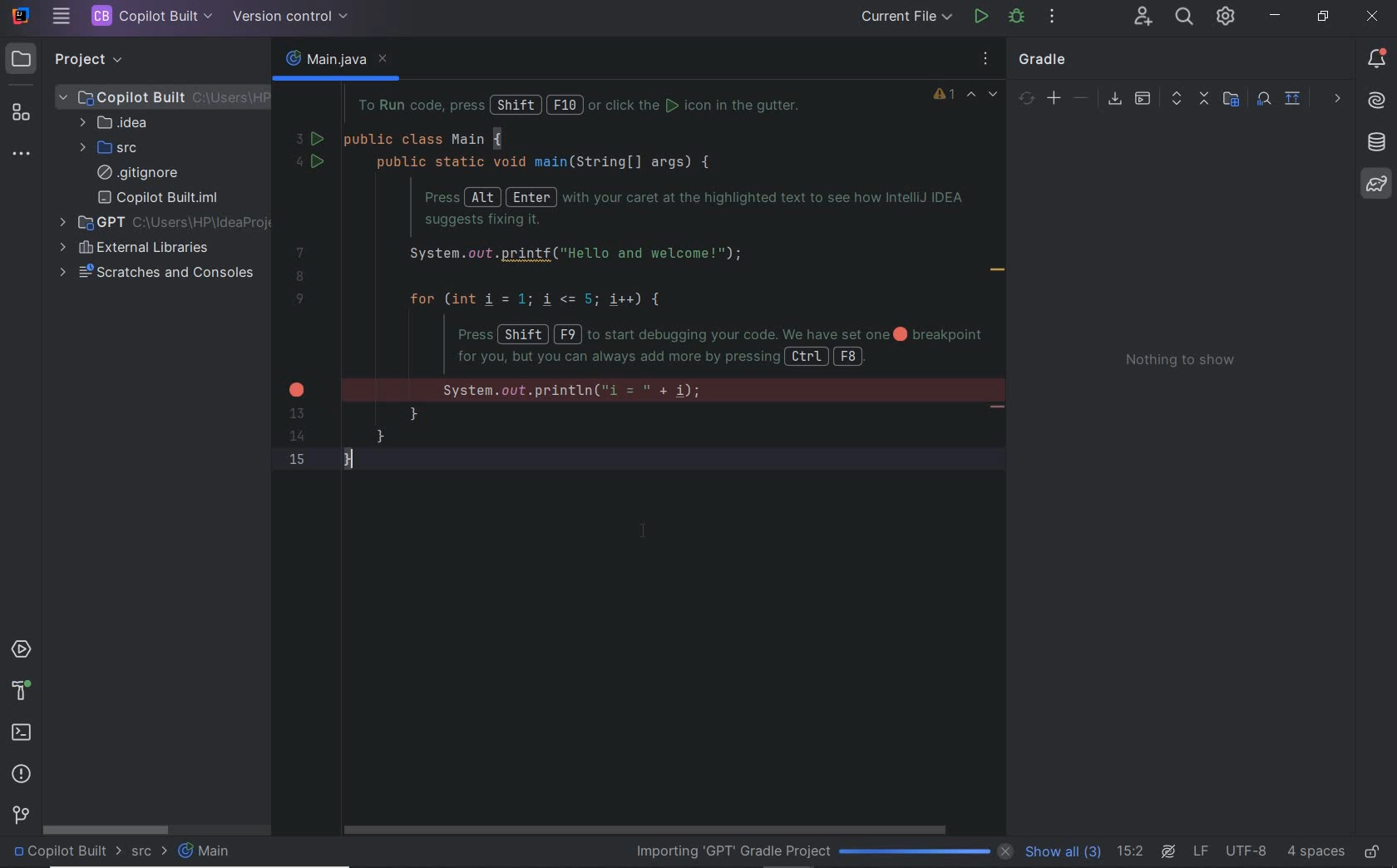  I want to click on IDEA, so click(112, 122).